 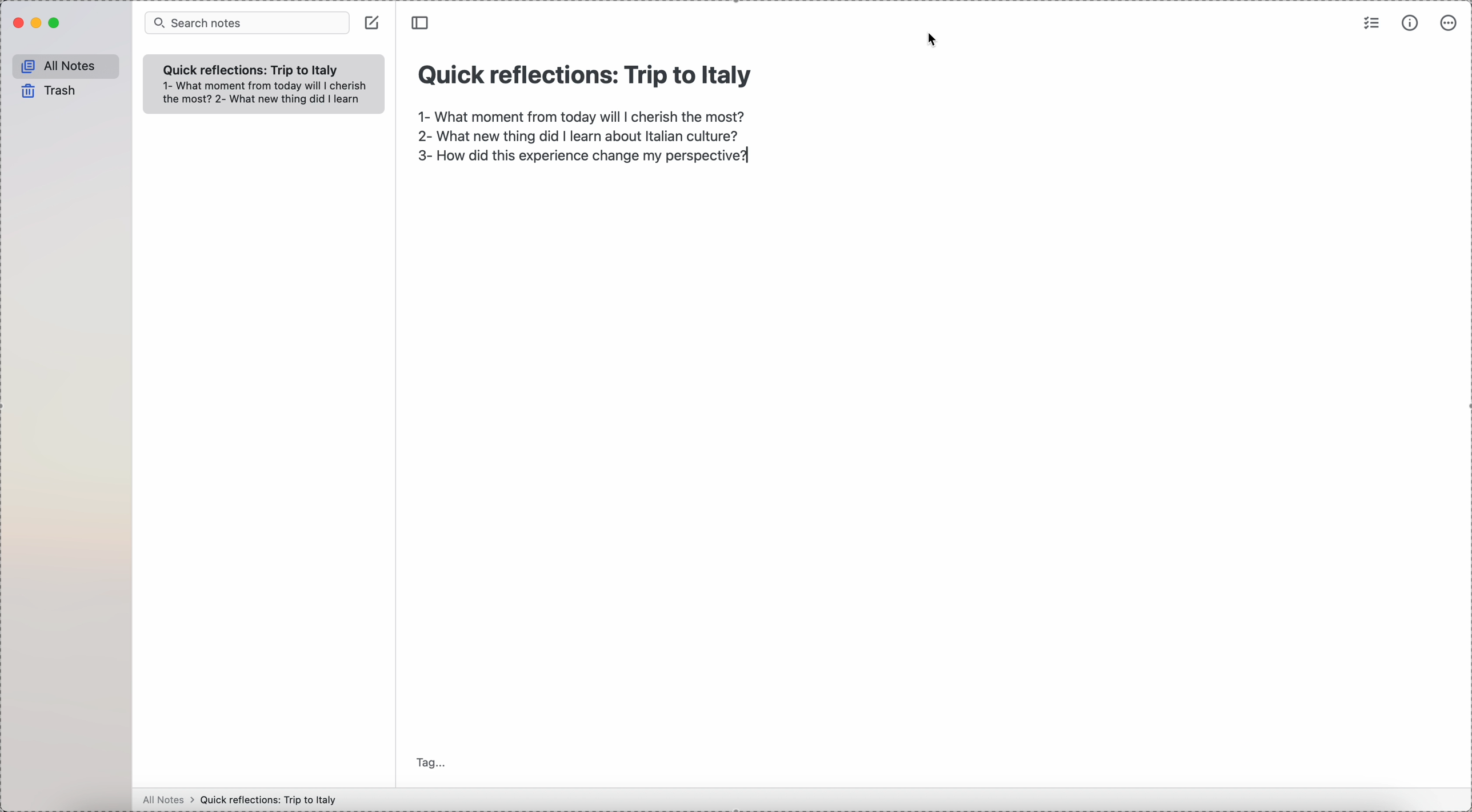 I want to click on trash, so click(x=47, y=91).